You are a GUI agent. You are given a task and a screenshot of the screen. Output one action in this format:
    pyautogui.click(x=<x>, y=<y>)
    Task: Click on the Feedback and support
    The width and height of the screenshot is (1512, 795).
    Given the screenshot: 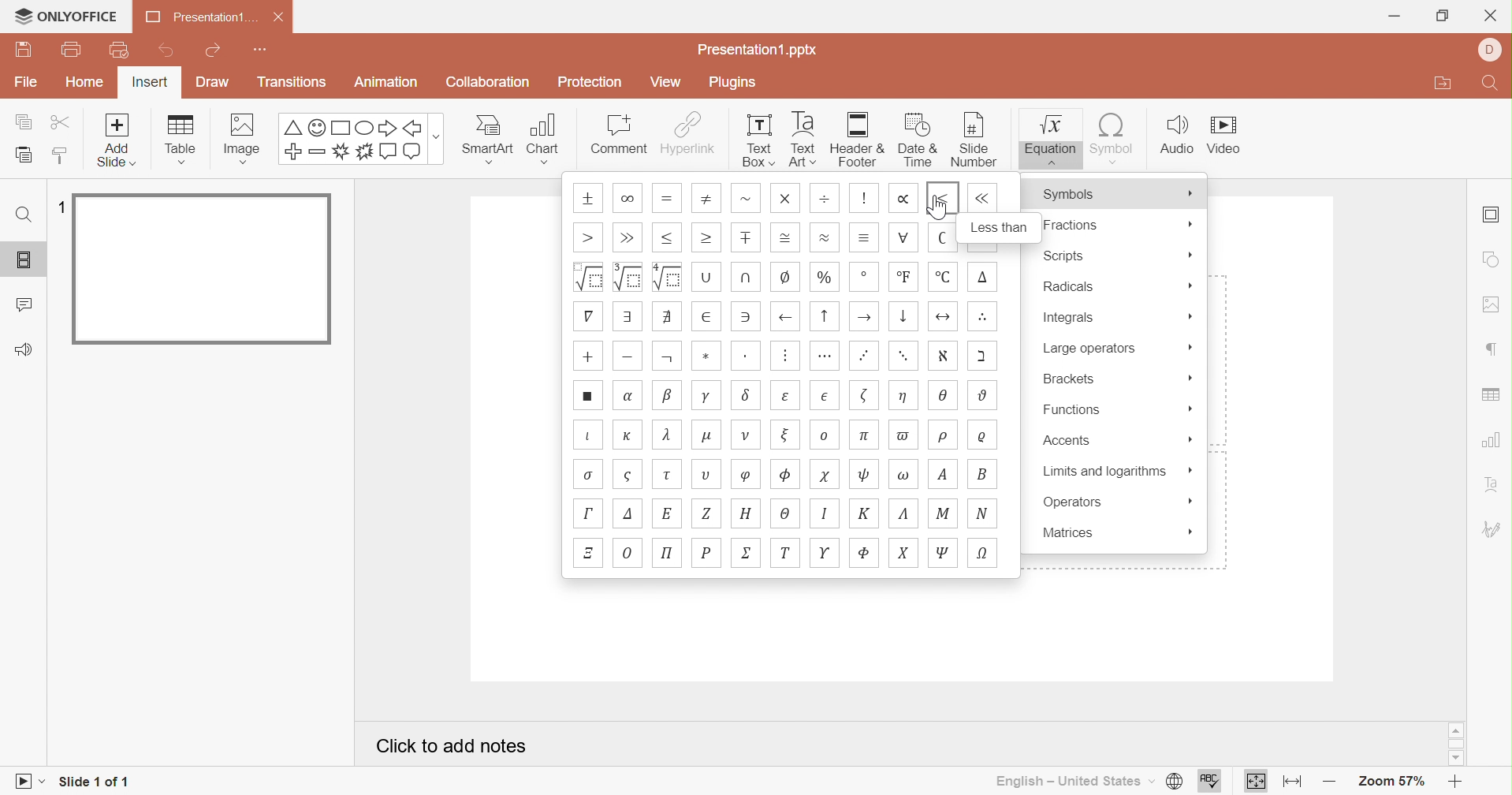 What is the action you would take?
    pyautogui.click(x=27, y=349)
    